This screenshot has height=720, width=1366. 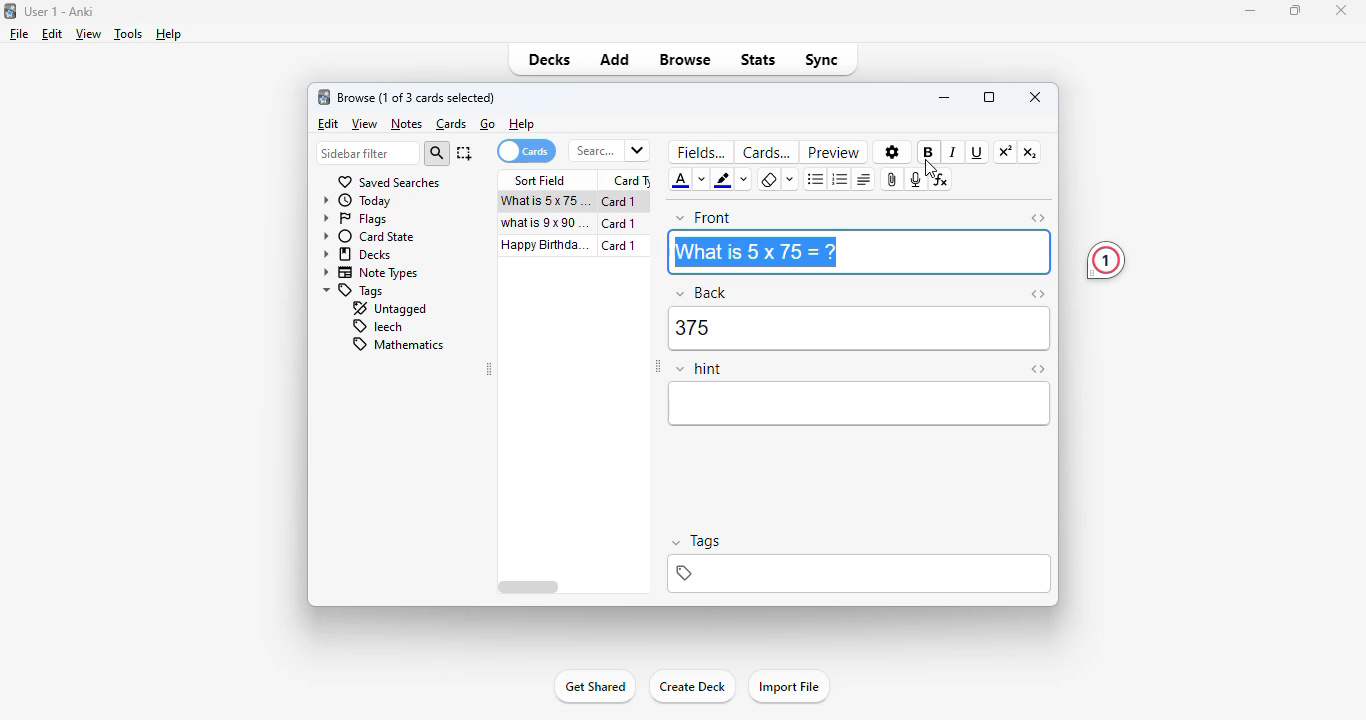 I want to click on toggle sidebar, so click(x=488, y=368).